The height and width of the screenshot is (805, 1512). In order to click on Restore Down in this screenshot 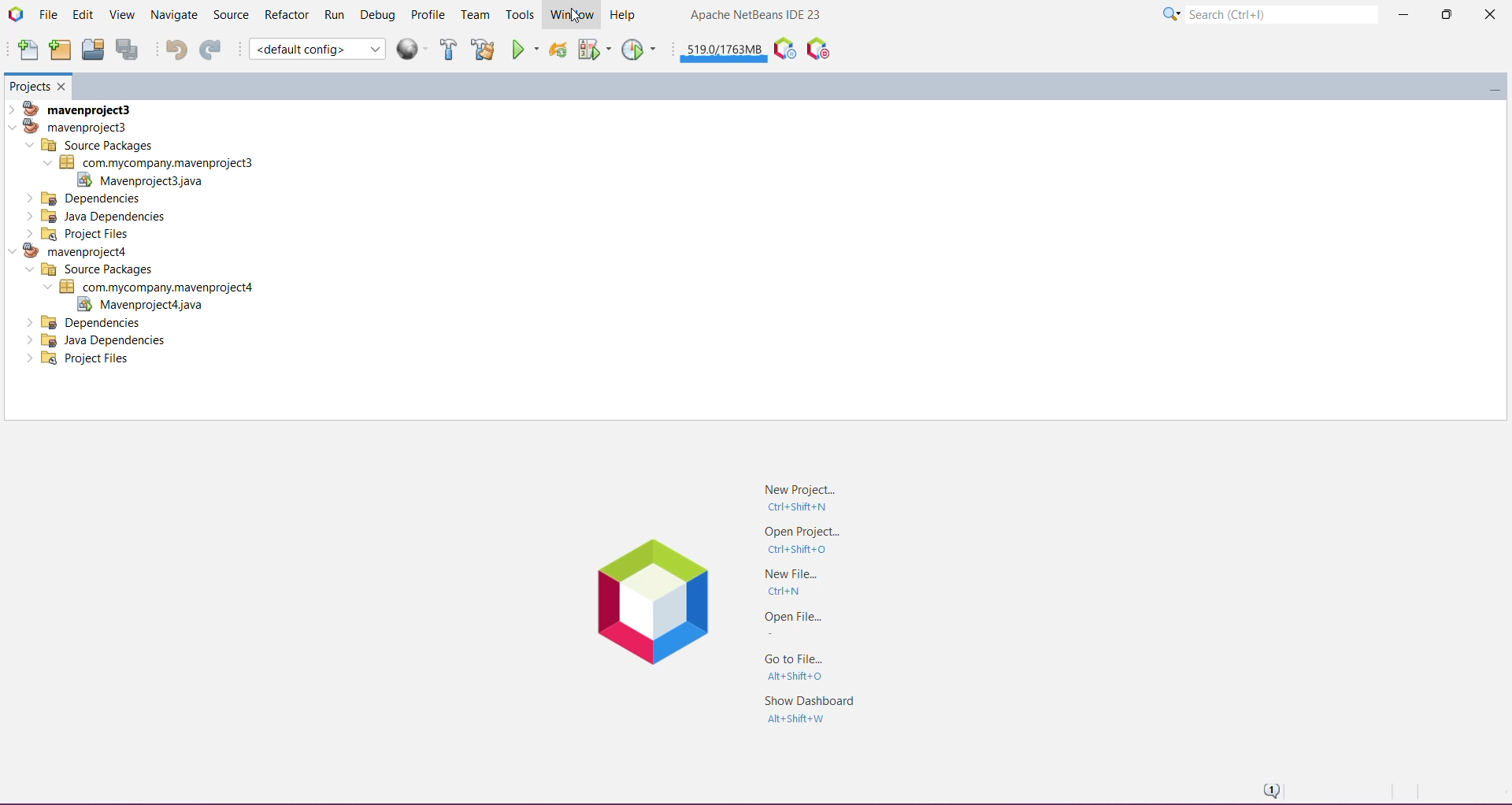, I will do `click(1444, 14)`.